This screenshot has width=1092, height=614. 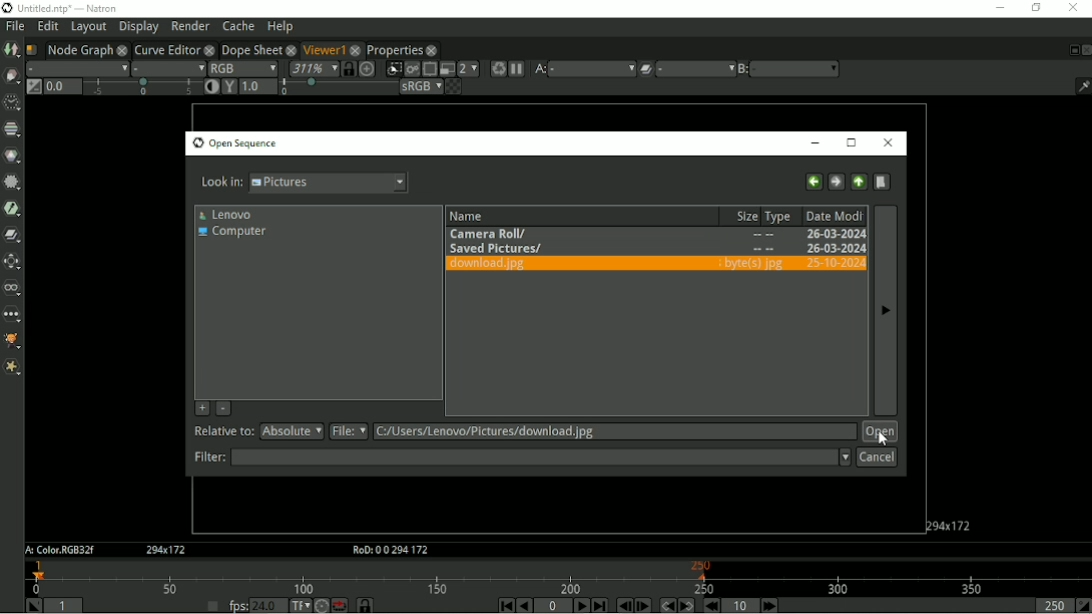 What do you see at coordinates (882, 182) in the screenshot?
I see `Create new directory here` at bounding box center [882, 182].